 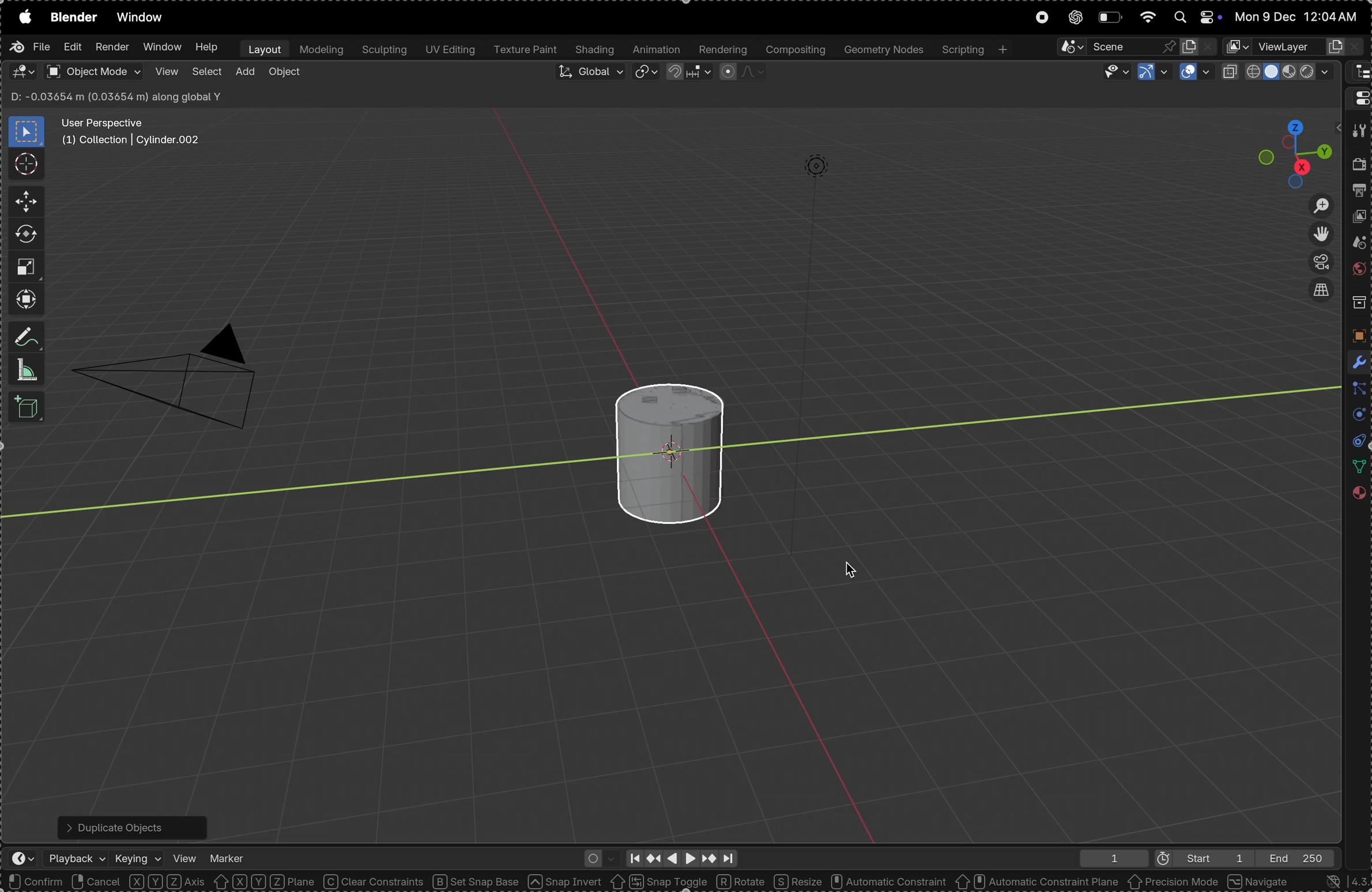 I want to click on Sculptiing, so click(x=383, y=50).